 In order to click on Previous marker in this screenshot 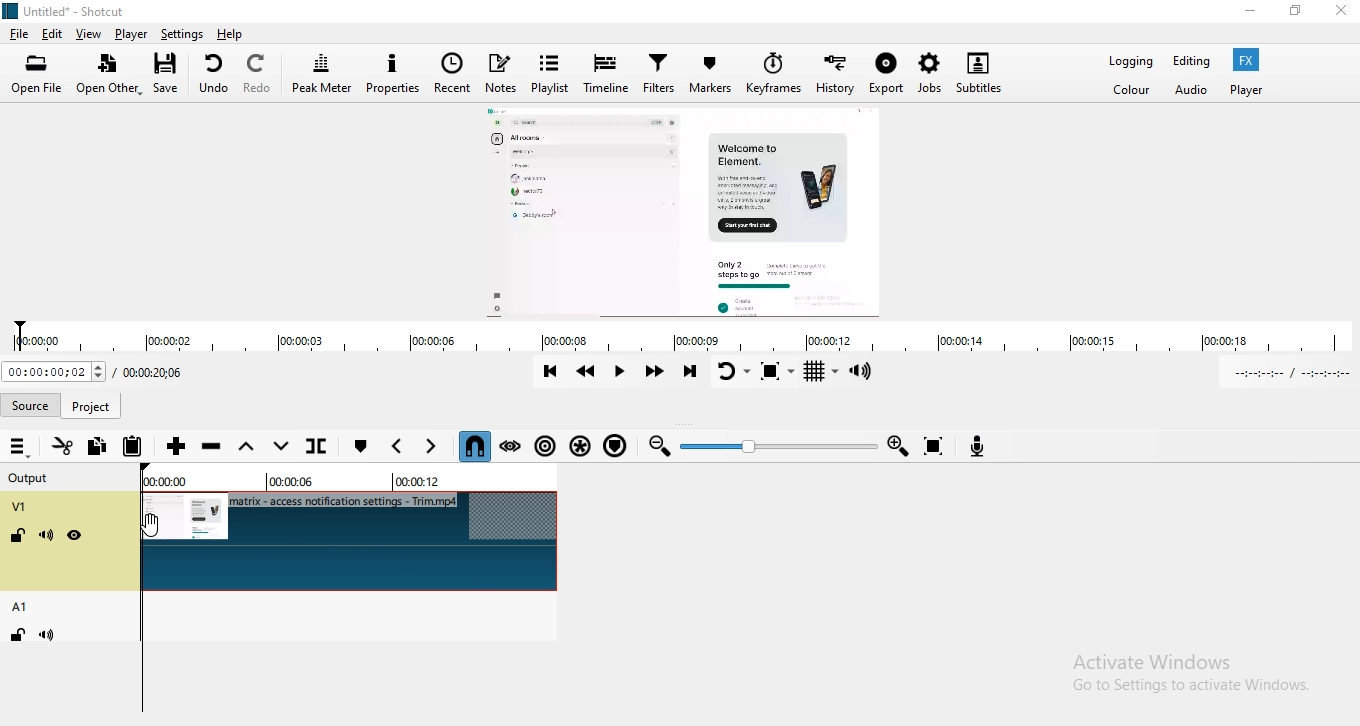, I will do `click(399, 447)`.